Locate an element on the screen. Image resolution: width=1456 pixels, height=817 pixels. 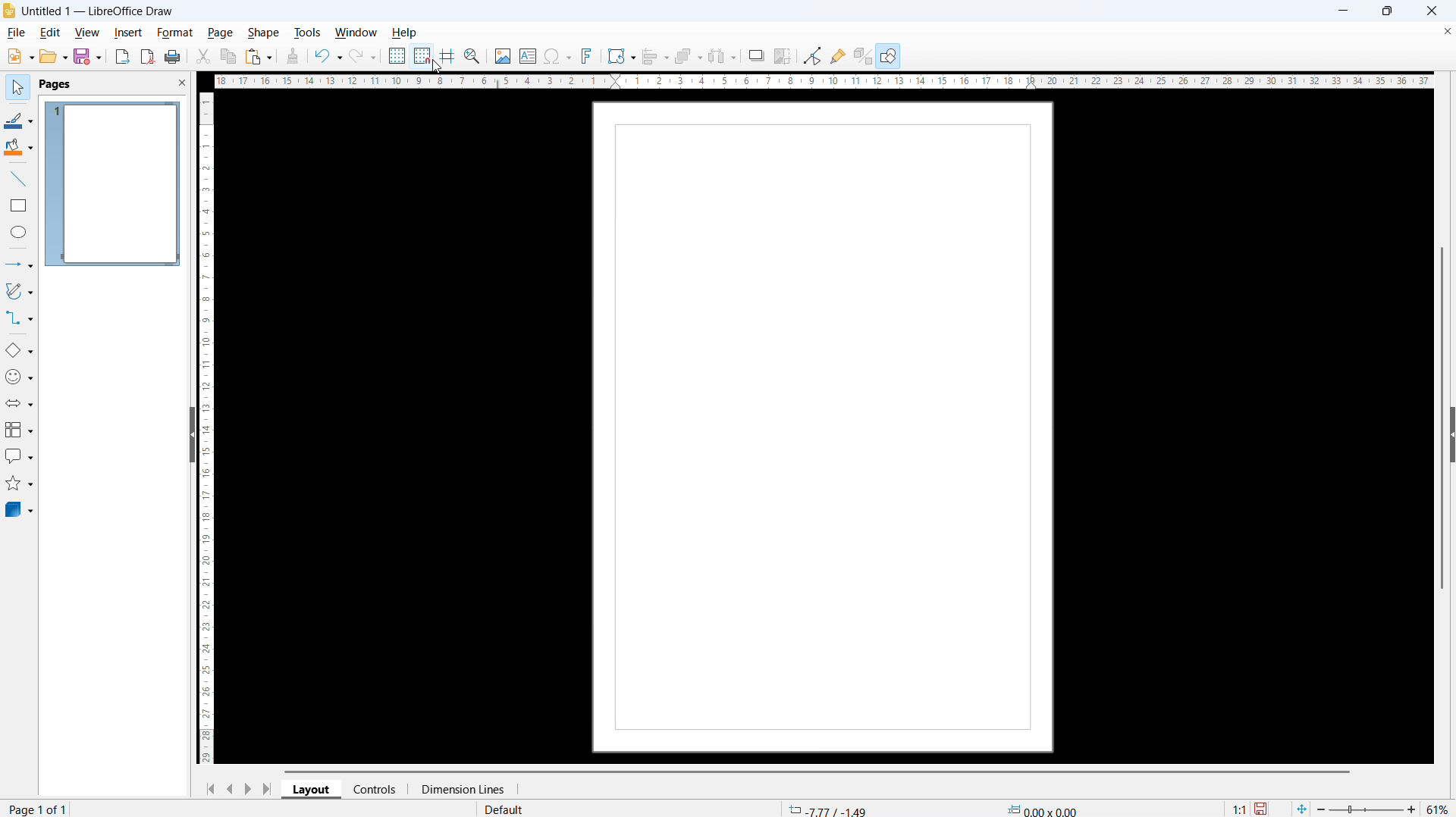
Show draw functions  is located at coordinates (888, 55).